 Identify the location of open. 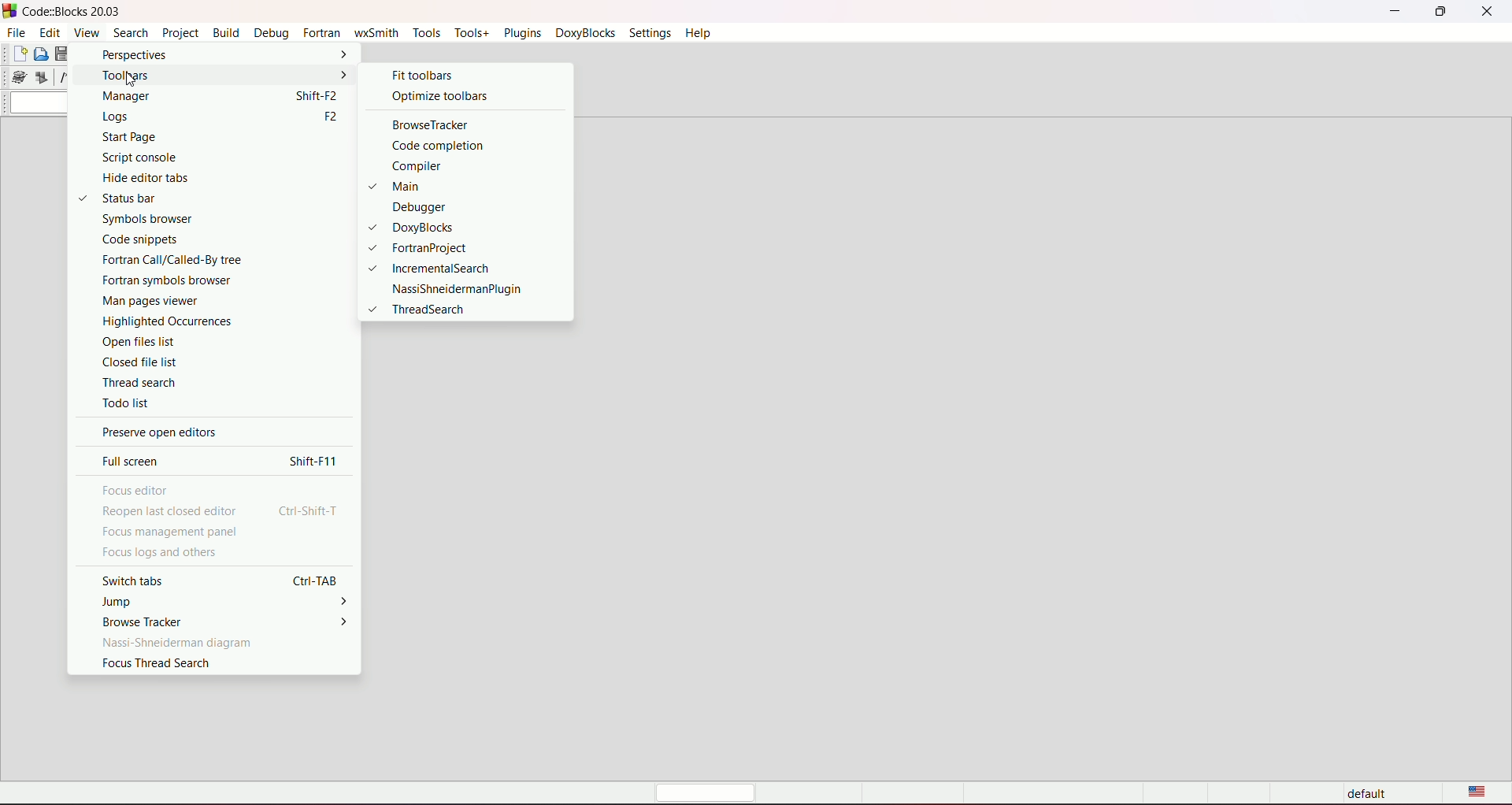
(41, 54).